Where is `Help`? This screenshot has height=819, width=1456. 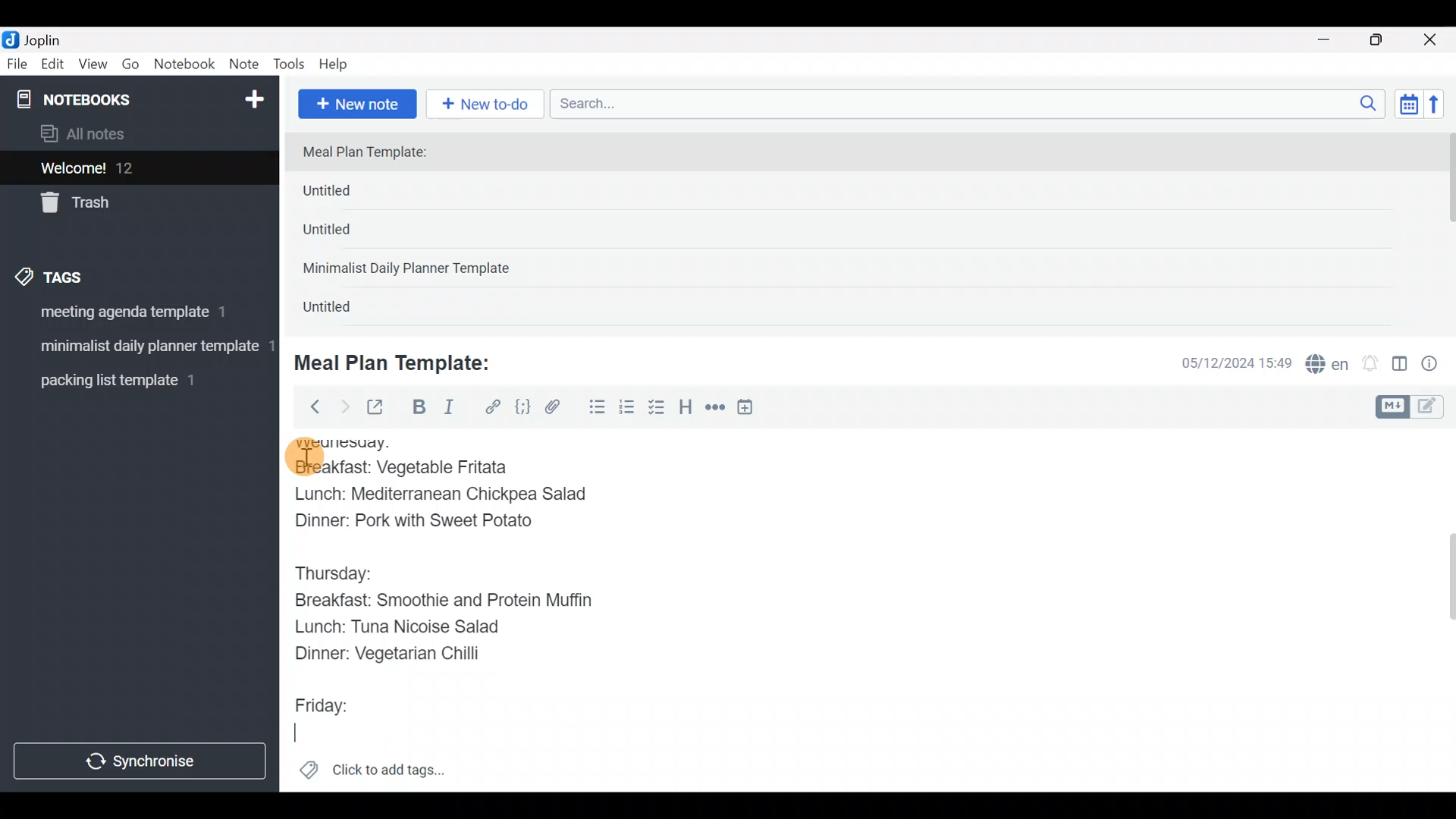
Help is located at coordinates (339, 61).